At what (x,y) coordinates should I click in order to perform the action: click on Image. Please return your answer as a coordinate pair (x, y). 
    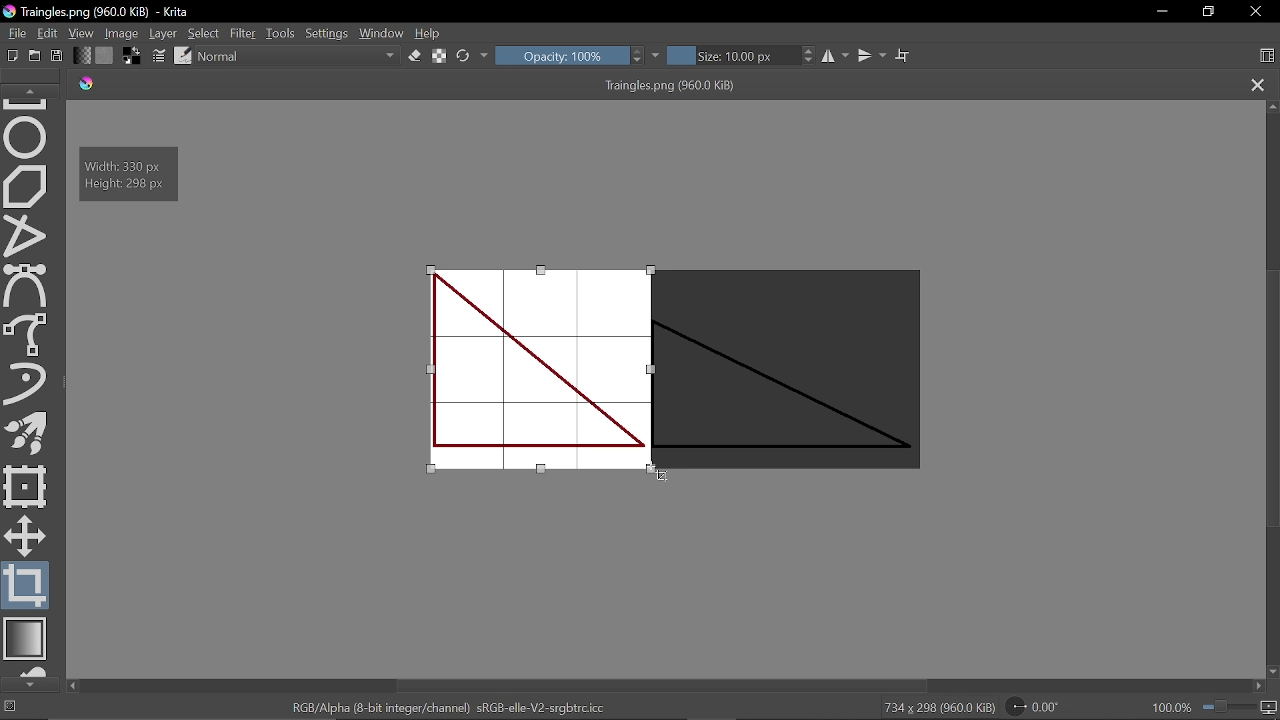
    Looking at the image, I should click on (123, 32).